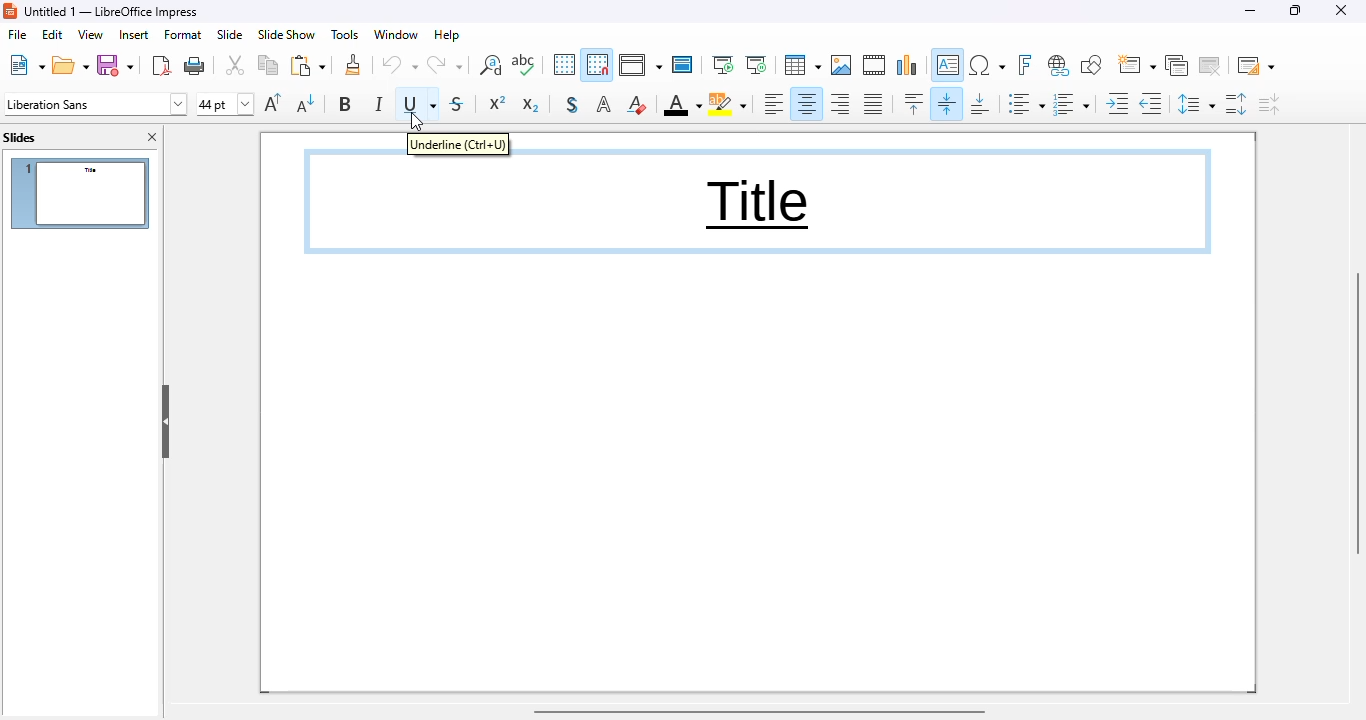 This screenshot has height=720, width=1366. I want to click on slide, so click(231, 34).